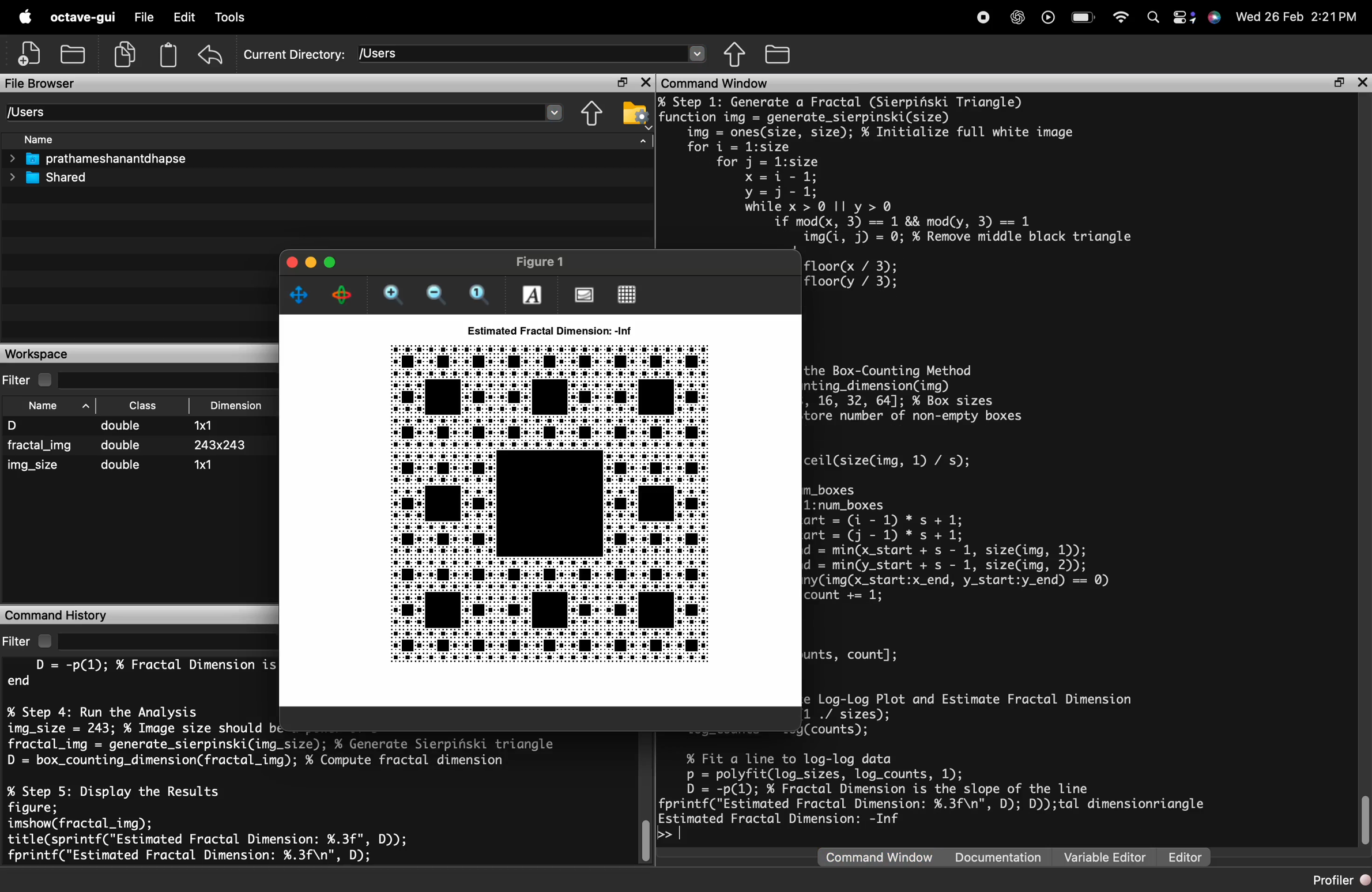 The height and width of the screenshot is (892, 1372). I want to click on Figure 1, so click(530, 260).